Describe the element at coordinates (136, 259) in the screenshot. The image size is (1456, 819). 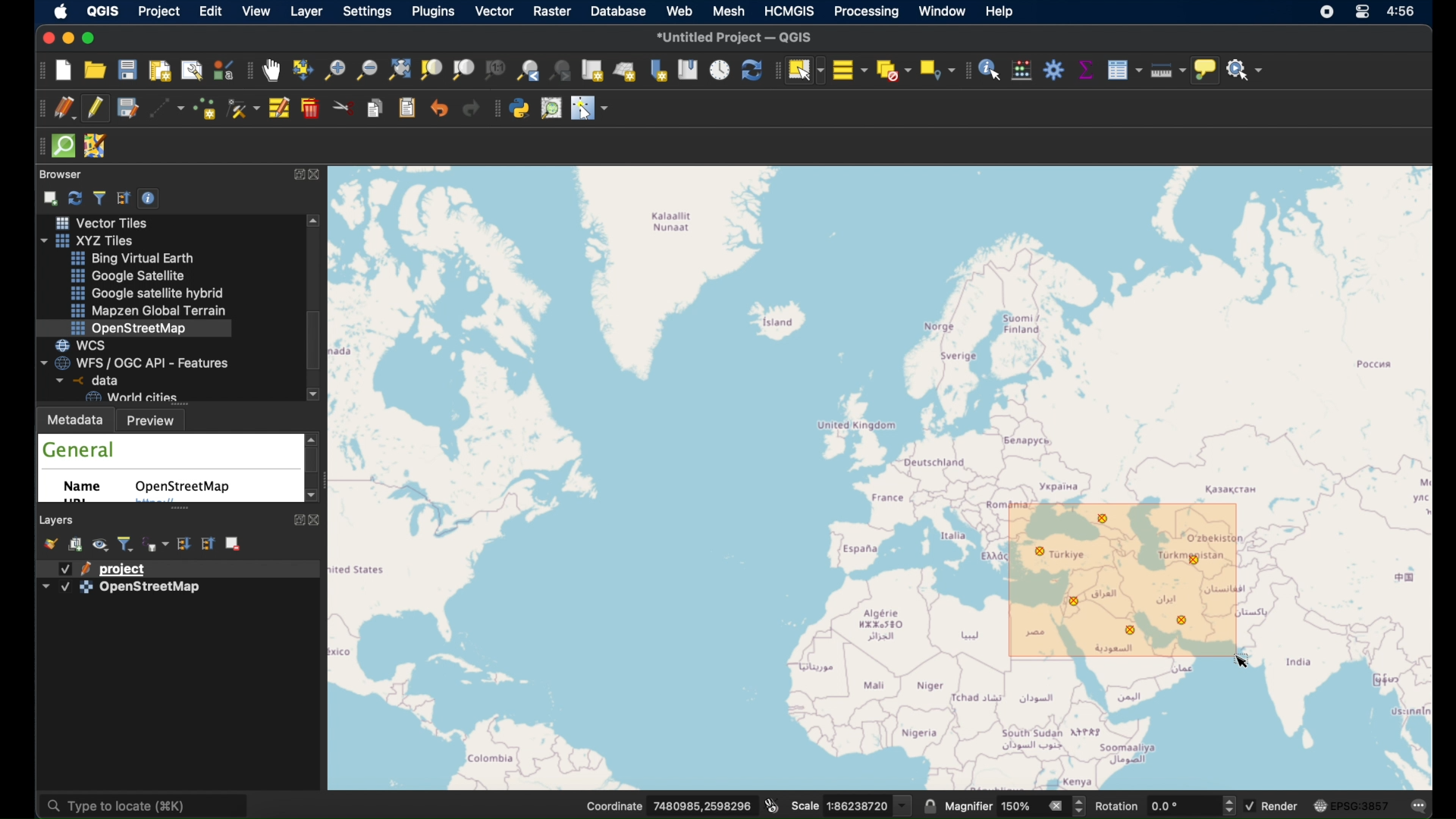
I see `bing virtual earth` at that location.